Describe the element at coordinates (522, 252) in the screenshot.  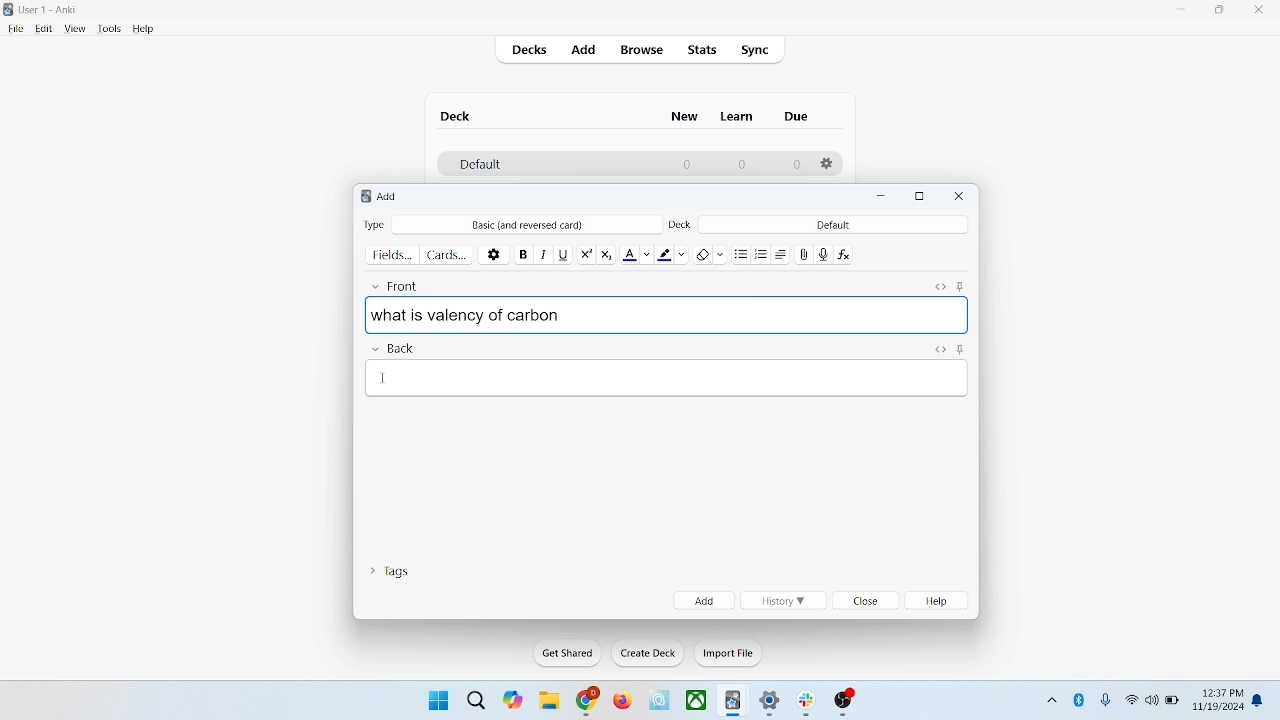
I see `bold` at that location.